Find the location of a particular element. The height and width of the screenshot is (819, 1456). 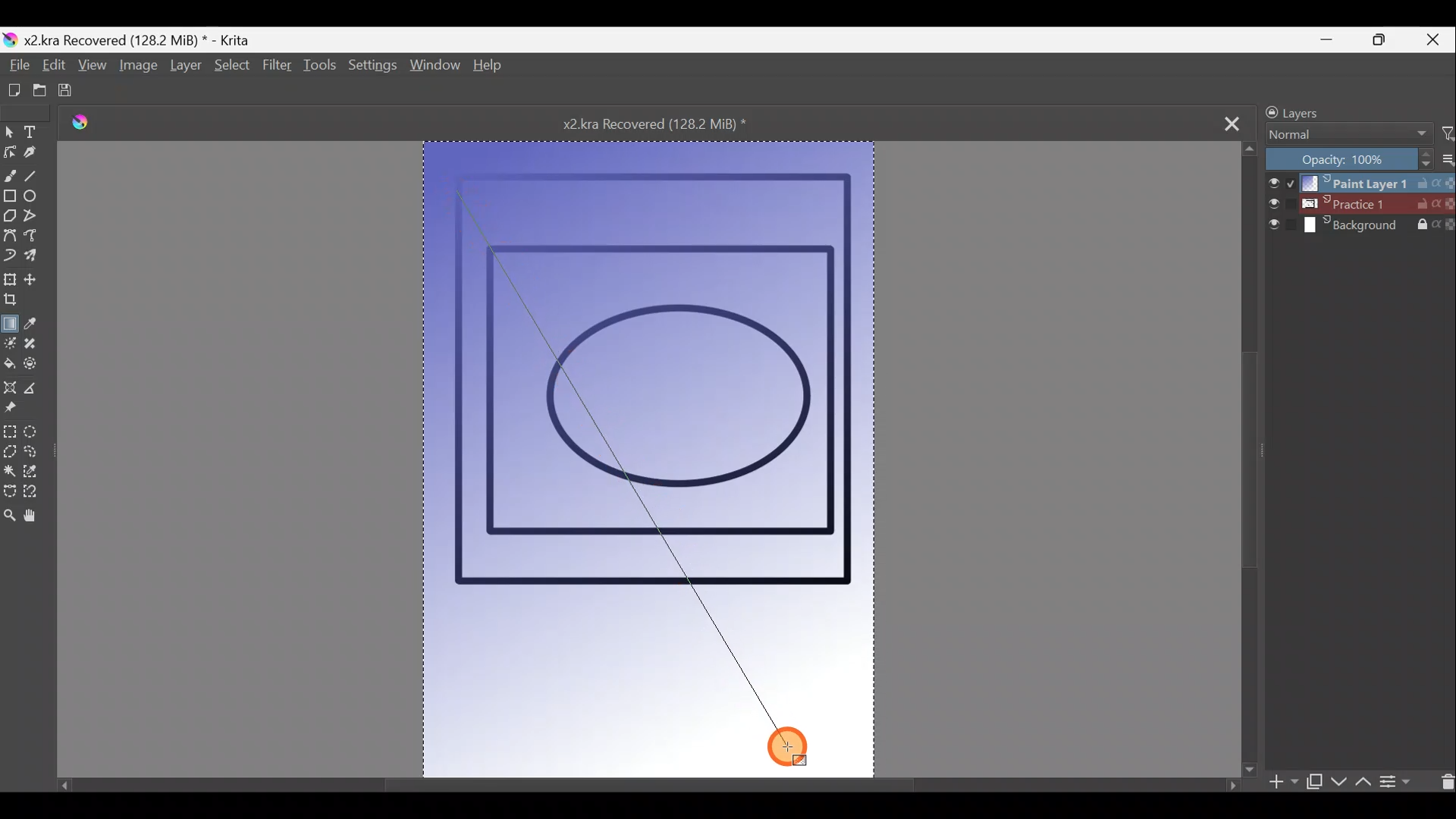

Sample a colour from the image/current layer is located at coordinates (34, 324).